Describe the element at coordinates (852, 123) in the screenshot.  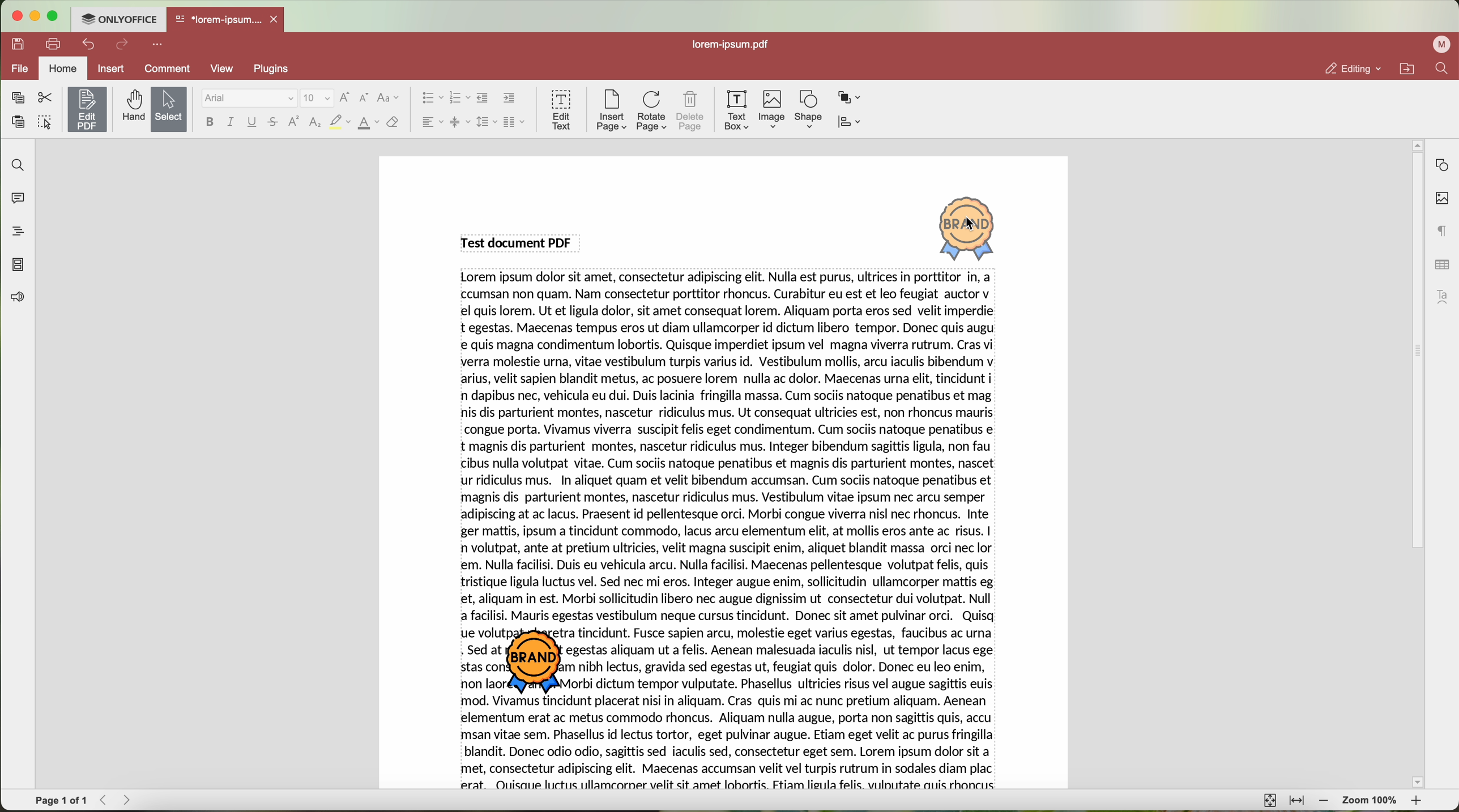
I see `align shape` at that location.